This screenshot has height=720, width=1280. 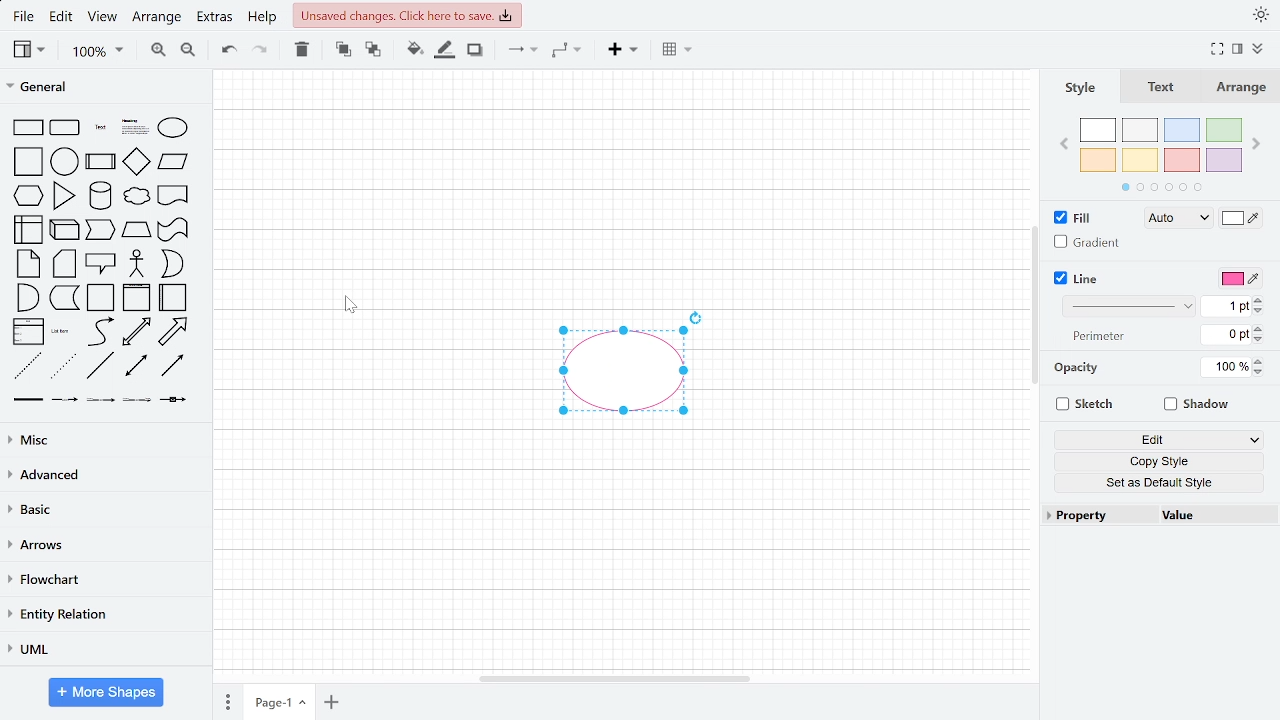 What do you see at coordinates (1179, 218) in the screenshot?
I see `Fill style` at bounding box center [1179, 218].